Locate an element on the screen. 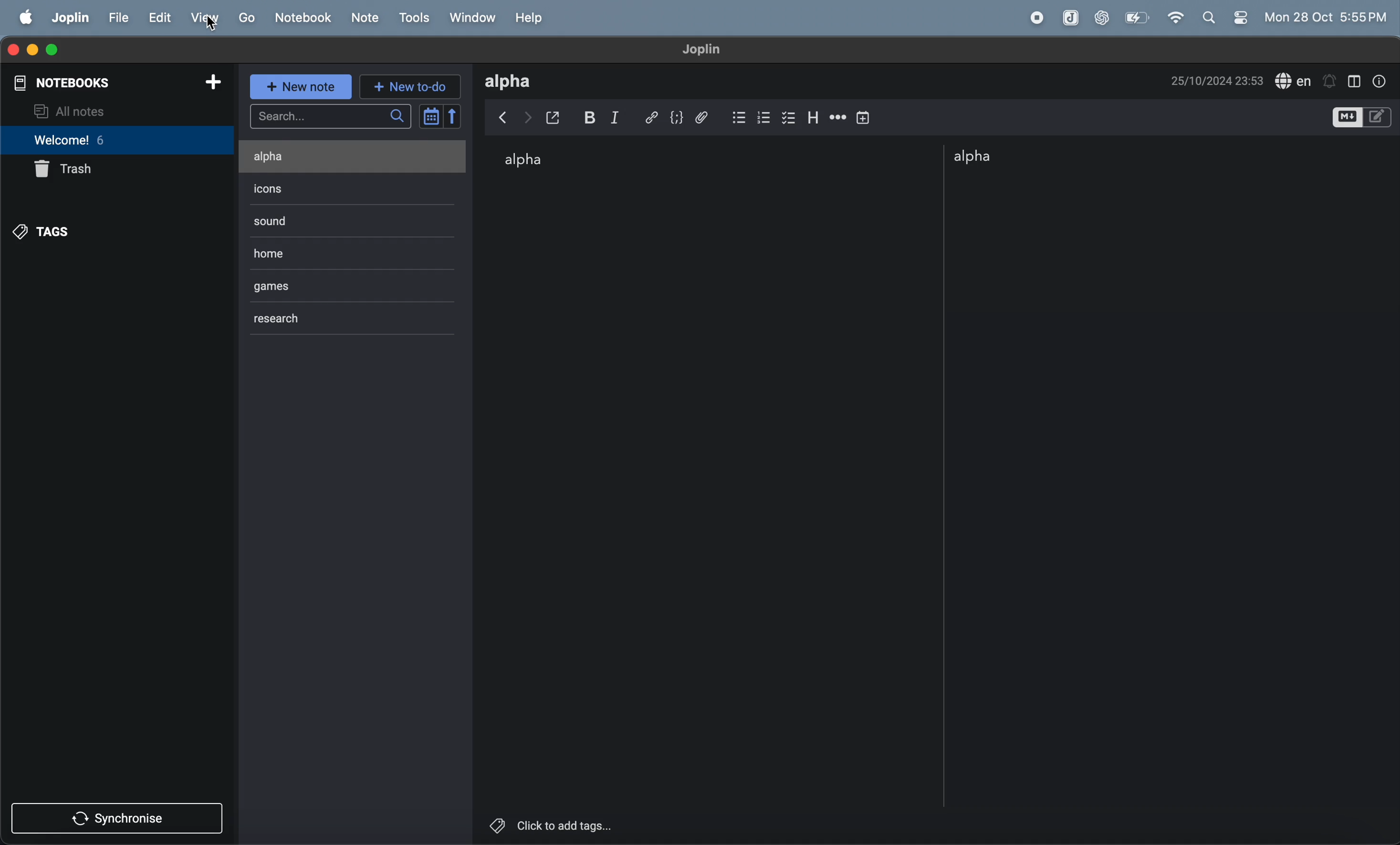 The width and height of the screenshot is (1400, 845). horrizontal lines is located at coordinates (838, 117).